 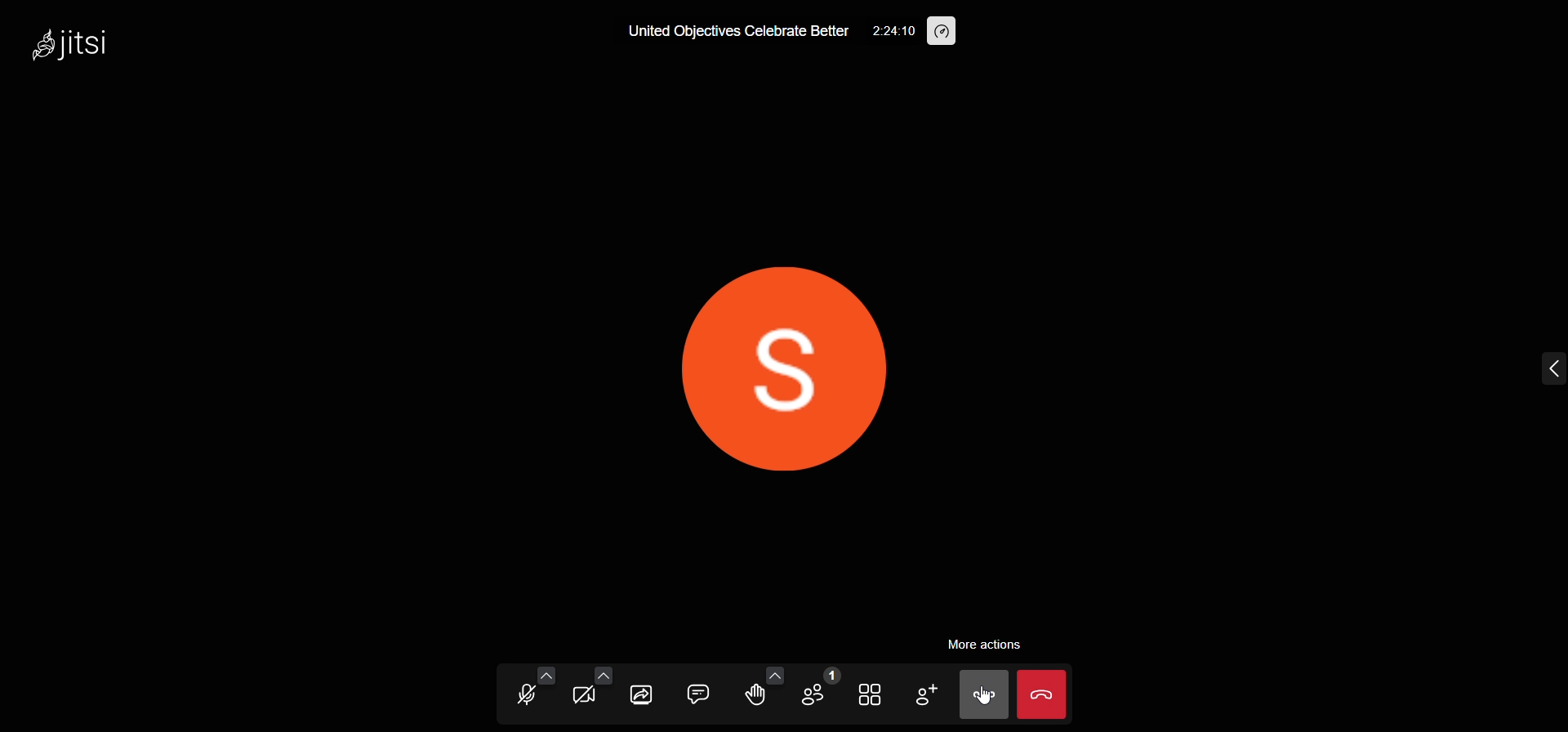 What do you see at coordinates (818, 688) in the screenshot?
I see `participants` at bounding box center [818, 688].